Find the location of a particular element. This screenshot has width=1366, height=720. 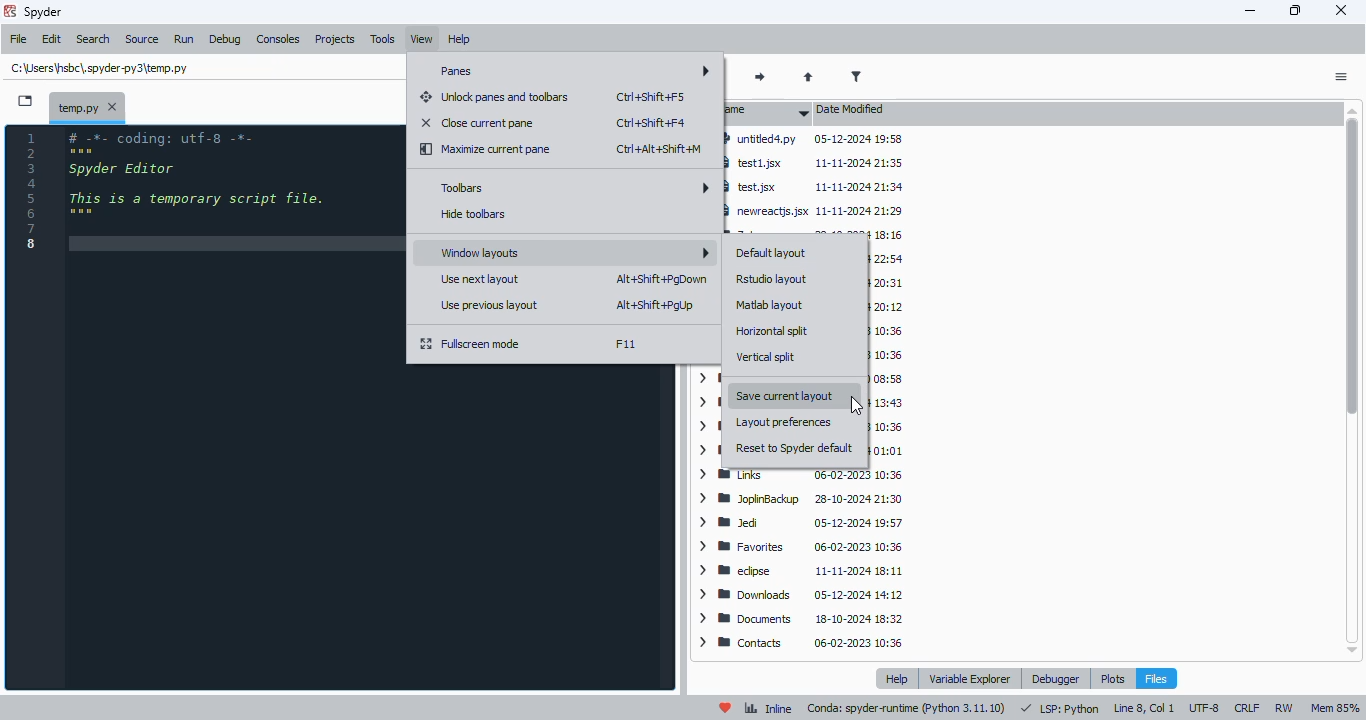

LSP:PYTHON is located at coordinates (1059, 709).